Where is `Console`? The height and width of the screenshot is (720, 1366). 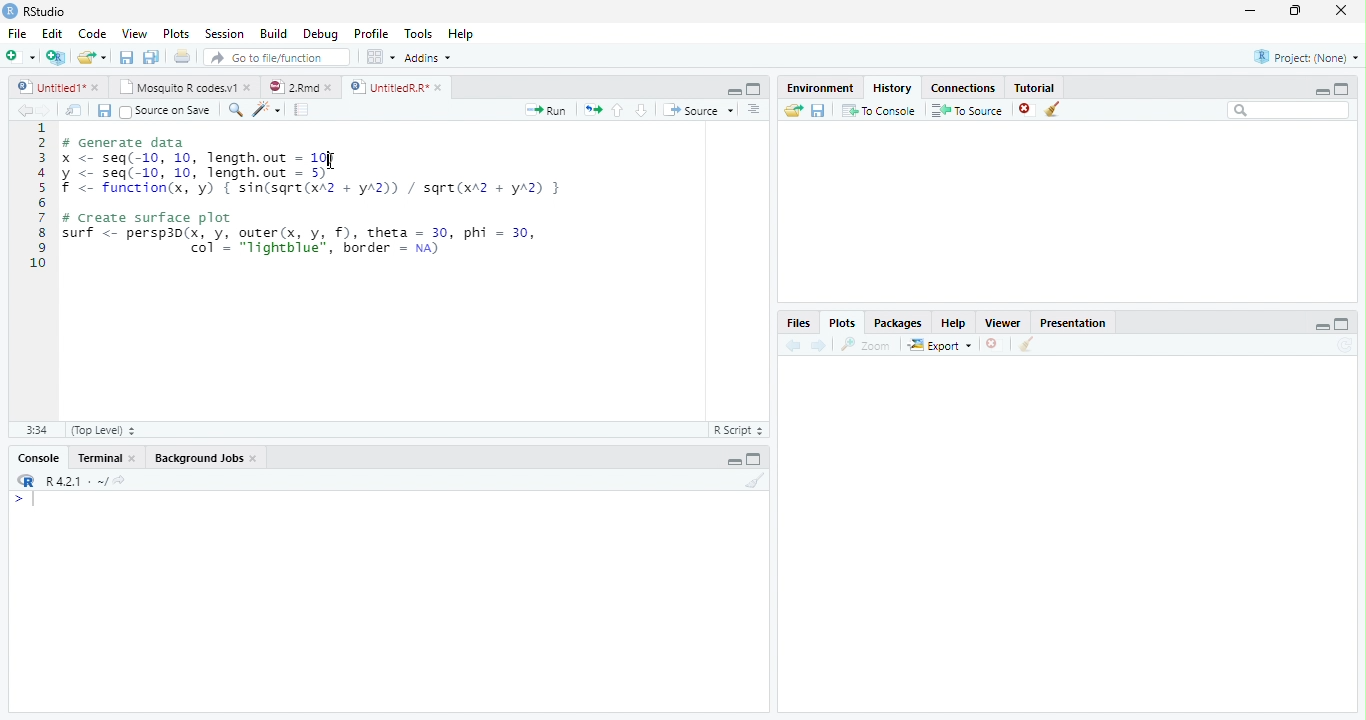
Console is located at coordinates (39, 458).